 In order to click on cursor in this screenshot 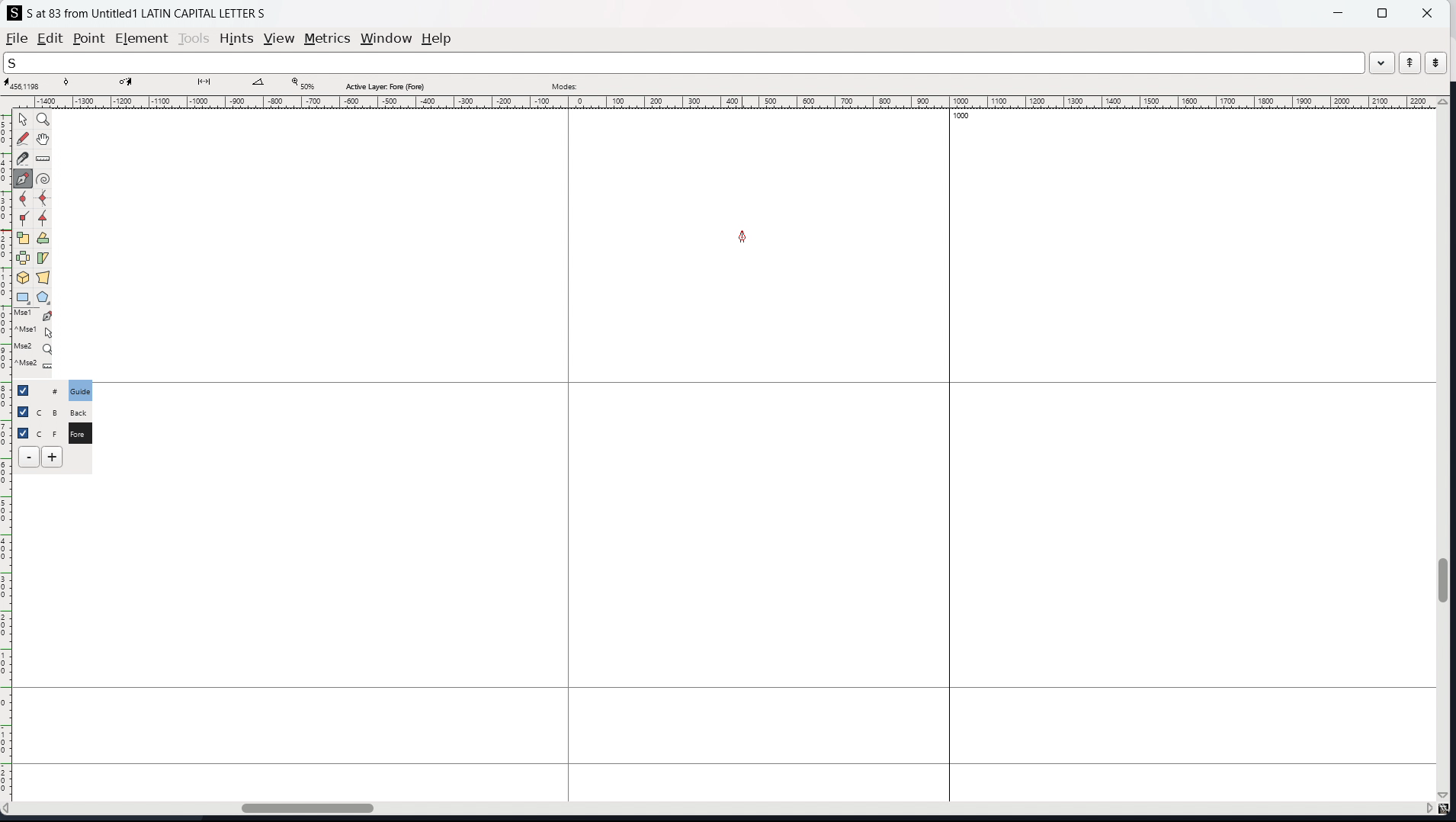, I will do `click(742, 236)`.